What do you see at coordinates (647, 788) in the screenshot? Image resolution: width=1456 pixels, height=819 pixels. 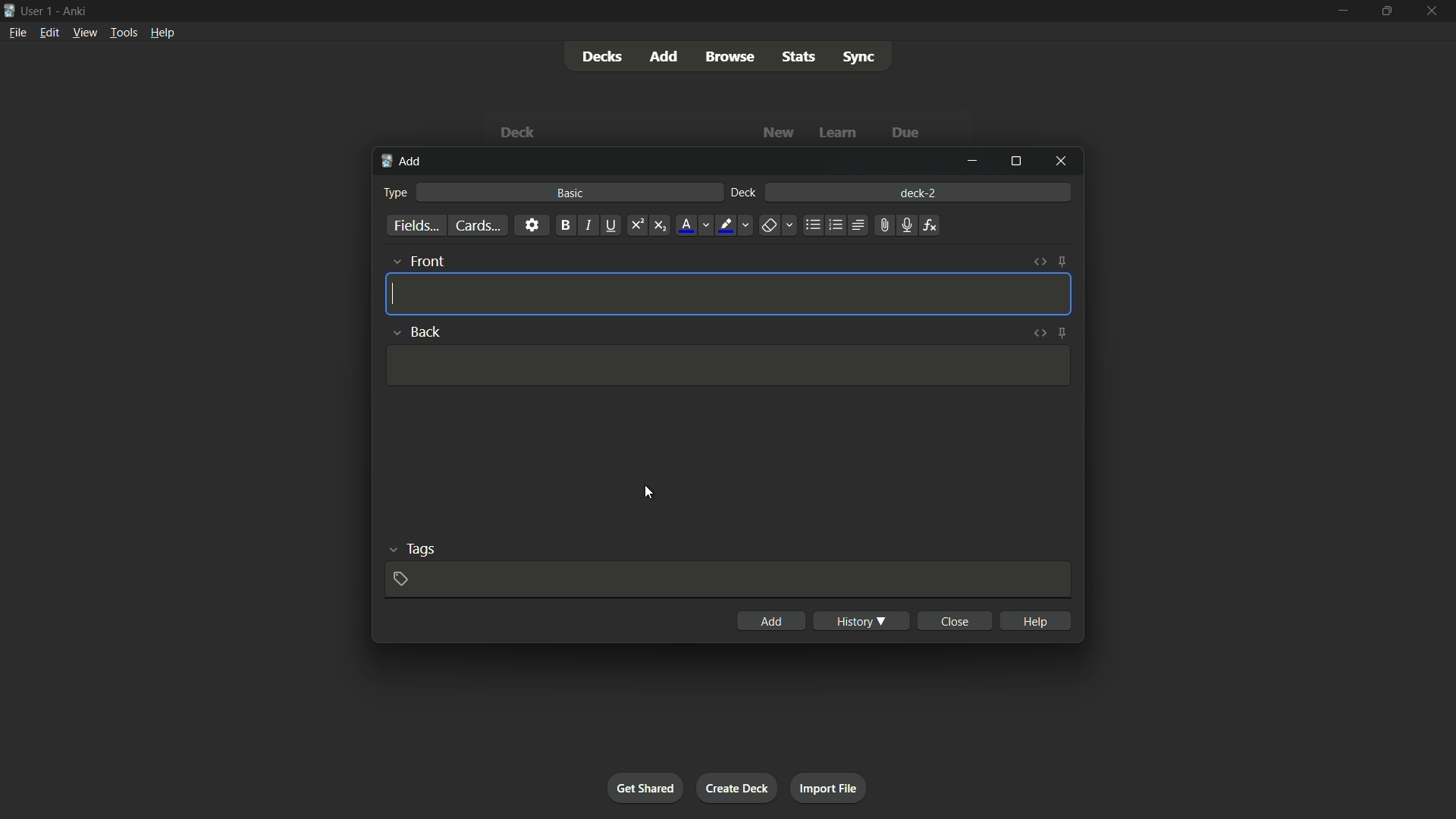 I see `get shared` at bounding box center [647, 788].